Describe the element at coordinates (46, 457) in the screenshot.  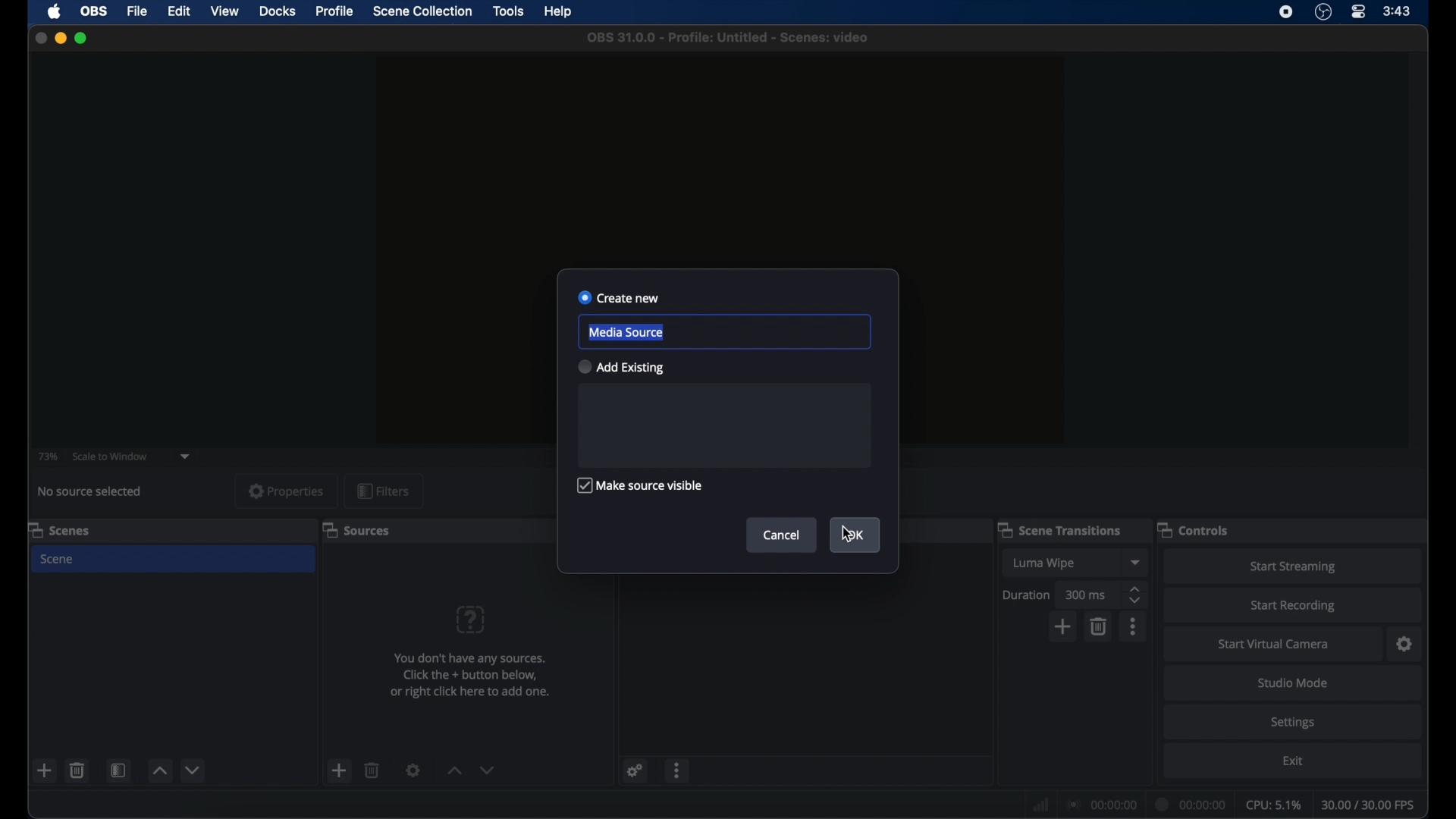
I see `73%` at that location.